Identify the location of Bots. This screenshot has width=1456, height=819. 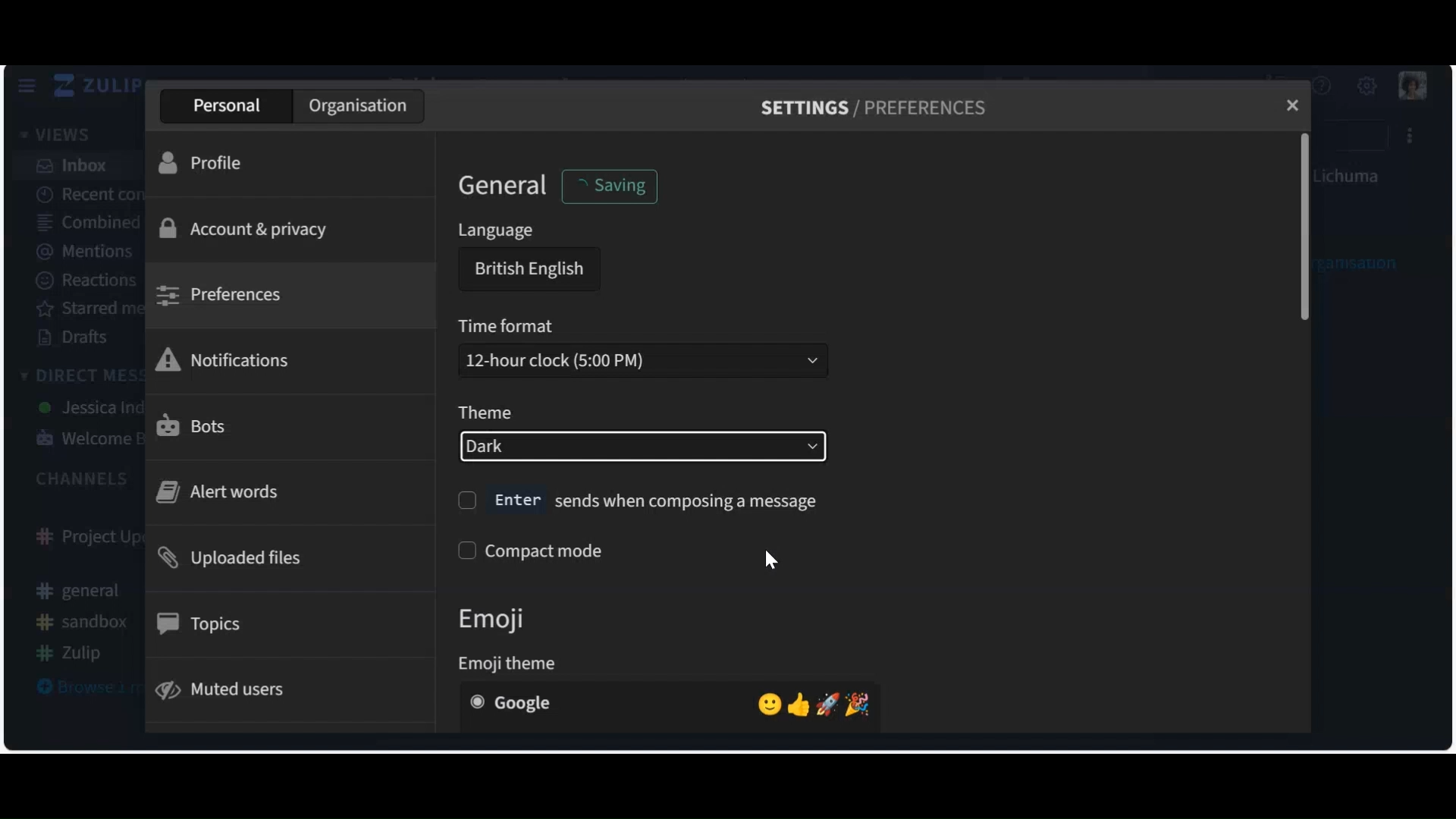
(194, 425).